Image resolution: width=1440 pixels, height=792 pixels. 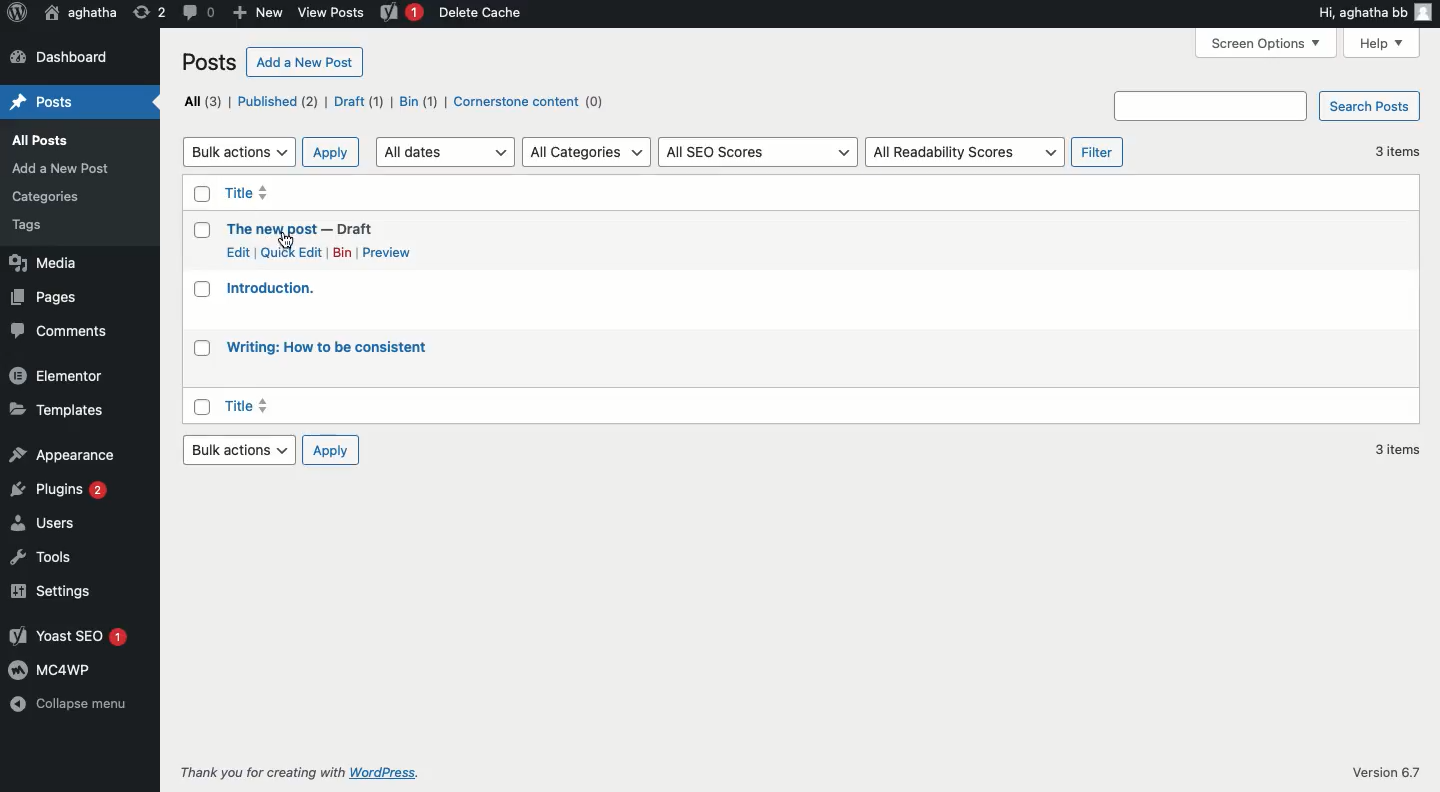 What do you see at coordinates (196, 12) in the screenshot?
I see `Messages` at bounding box center [196, 12].